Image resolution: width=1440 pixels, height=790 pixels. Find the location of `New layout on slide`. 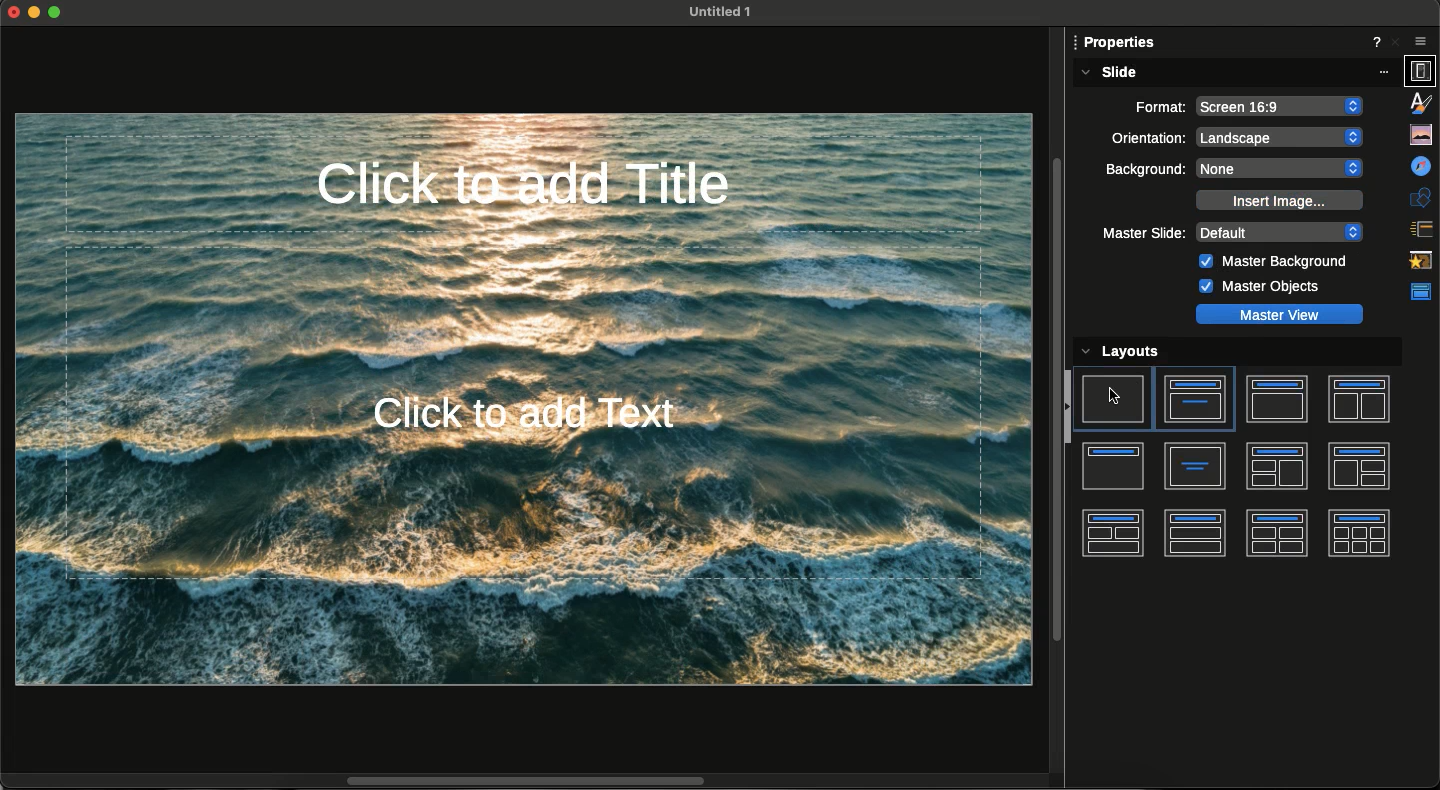

New layout on slide is located at coordinates (521, 398).